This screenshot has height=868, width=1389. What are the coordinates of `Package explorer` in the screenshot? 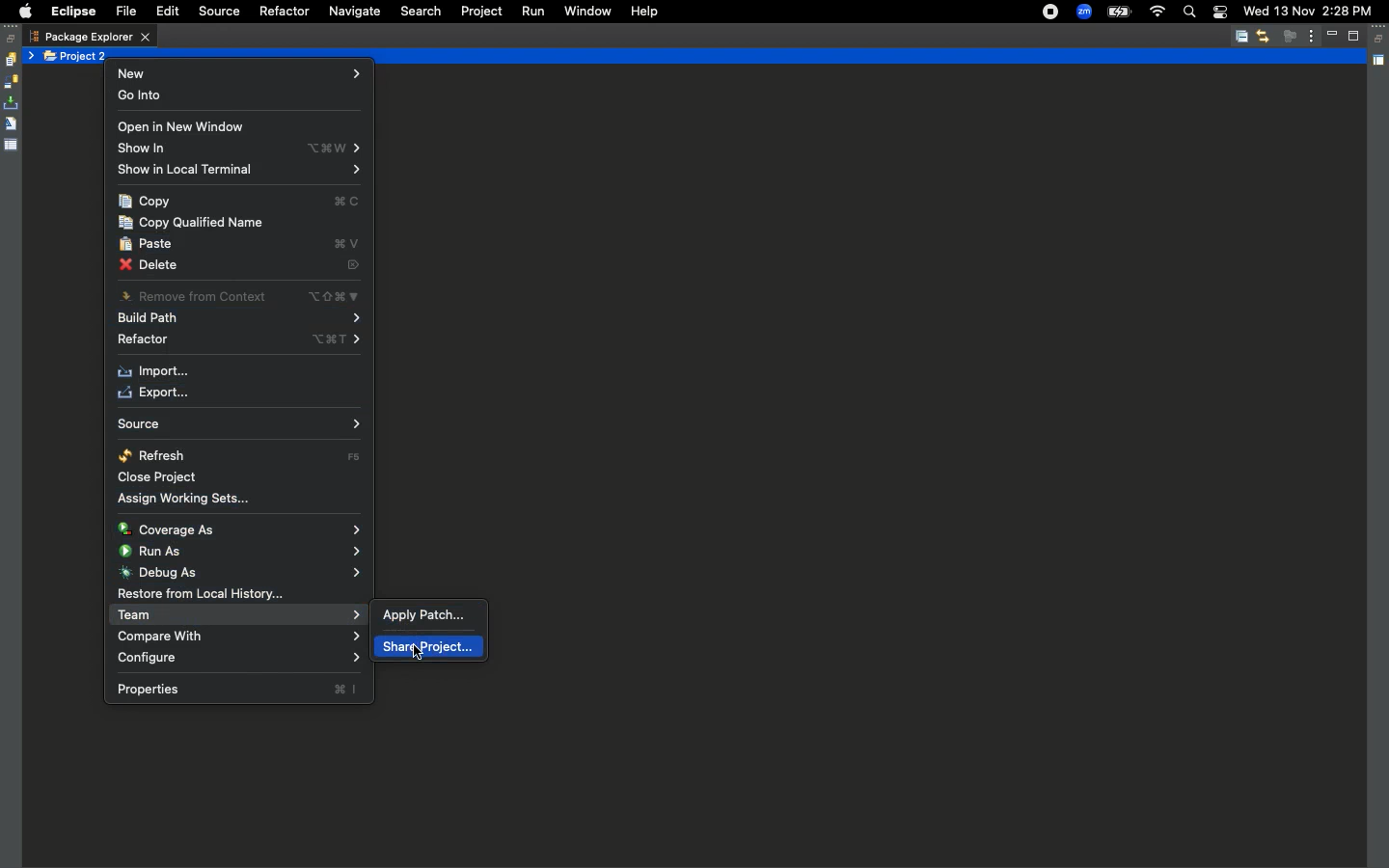 It's located at (90, 37).